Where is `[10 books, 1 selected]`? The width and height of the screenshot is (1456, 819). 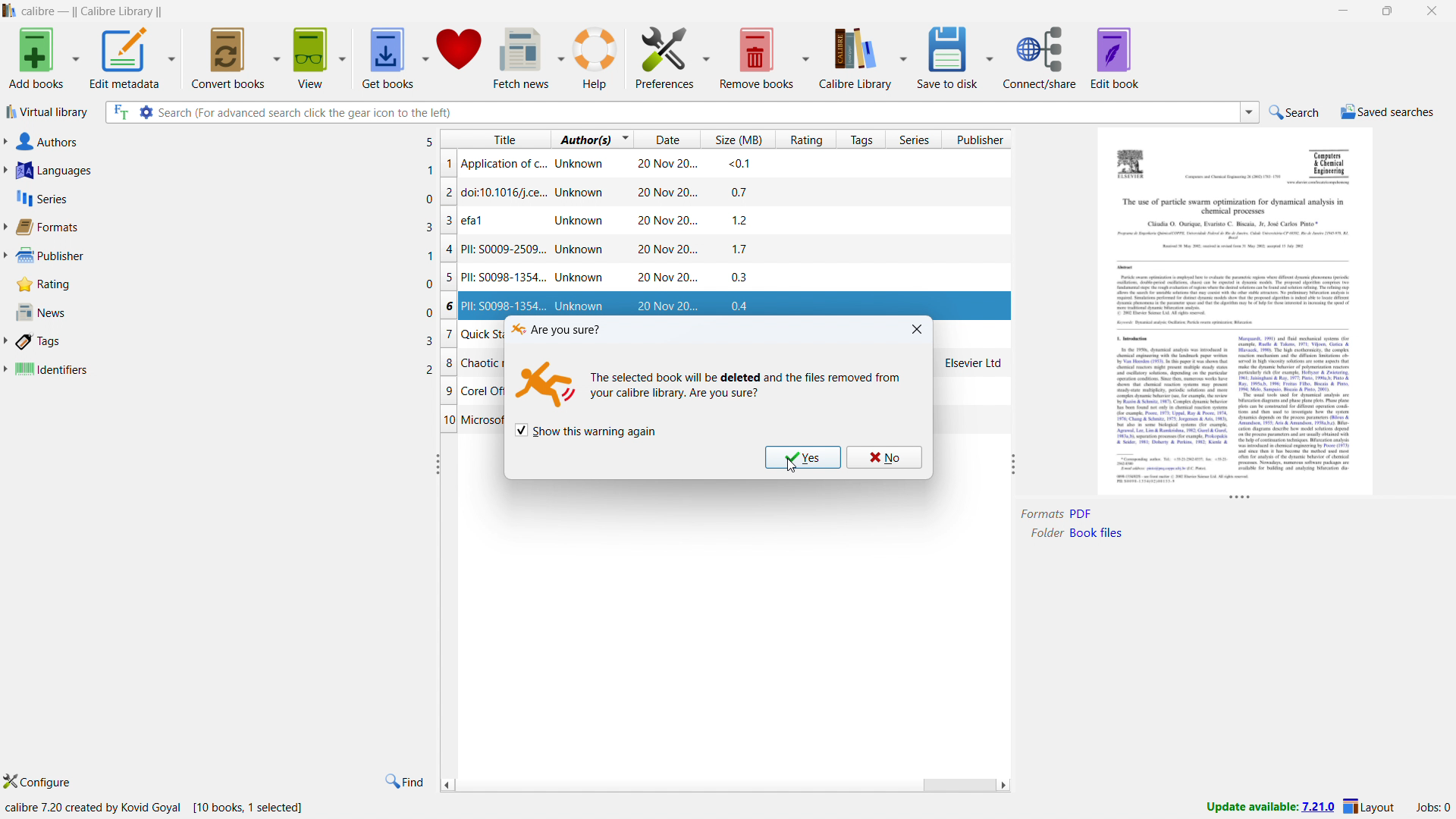
[10 books, 1 selected] is located at coordinates (256, 808).